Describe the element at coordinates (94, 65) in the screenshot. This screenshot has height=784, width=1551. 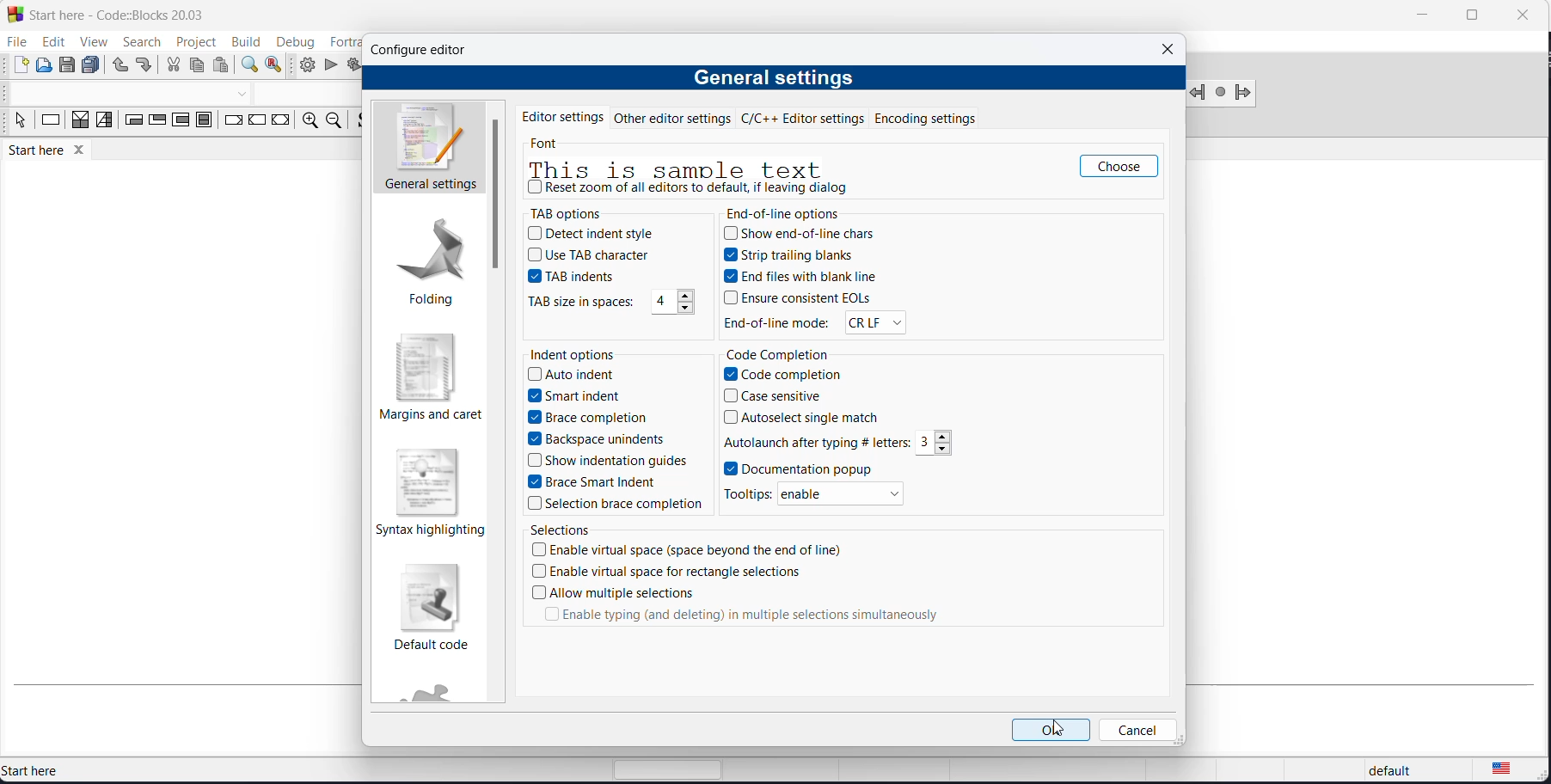
I see `save all` at that location.